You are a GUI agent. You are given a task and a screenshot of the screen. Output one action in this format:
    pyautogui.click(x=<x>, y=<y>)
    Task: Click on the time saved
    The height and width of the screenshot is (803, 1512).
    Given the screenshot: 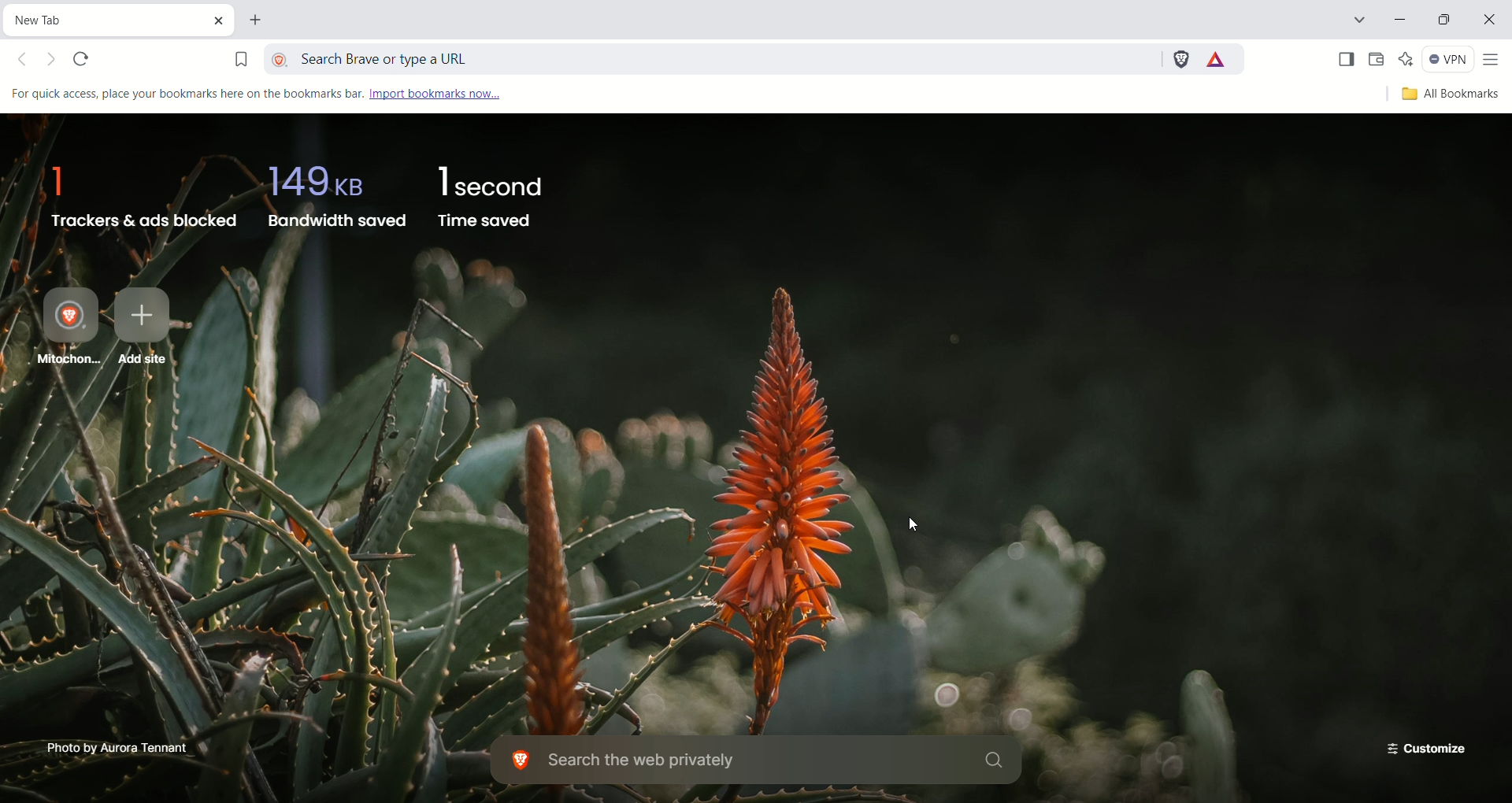 What is the action you would take?
    pyautogui.click(x=494, y=197)
    